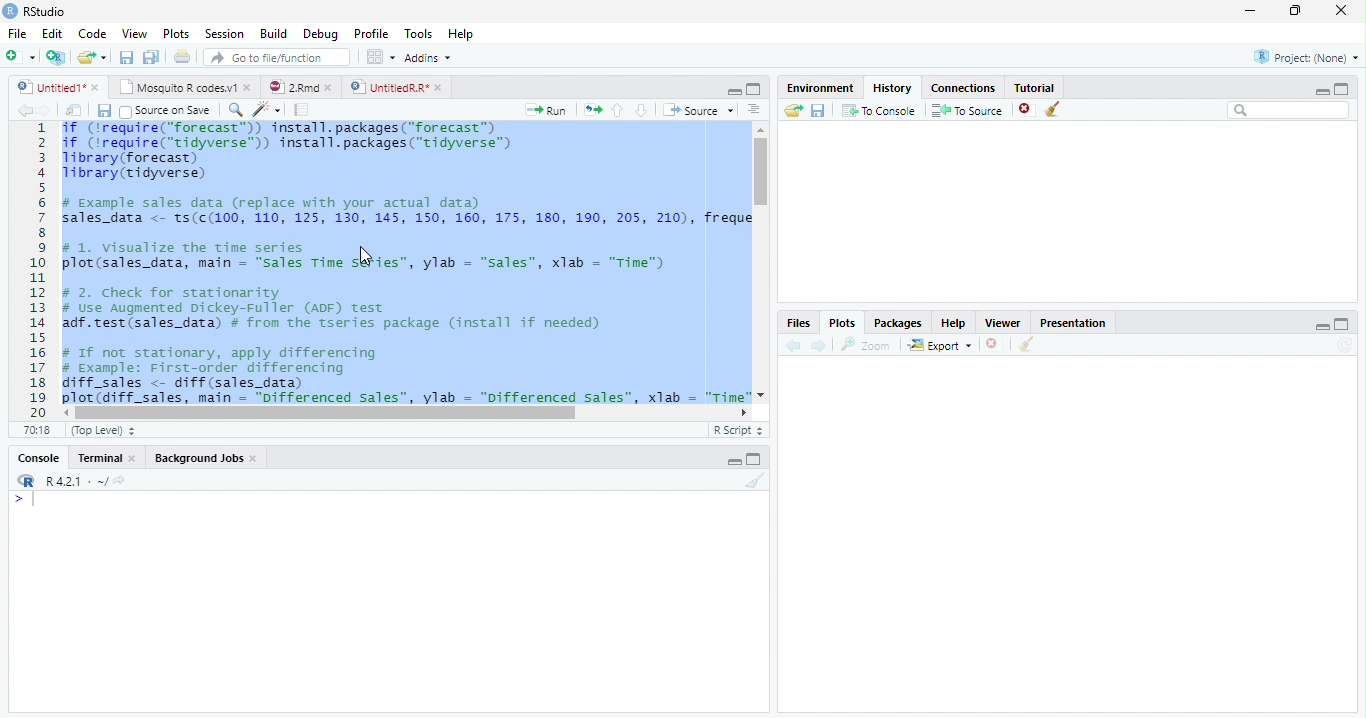  Describe the element at coordinates (1003, 324) in the screenshot. I see `viewer` at that location.